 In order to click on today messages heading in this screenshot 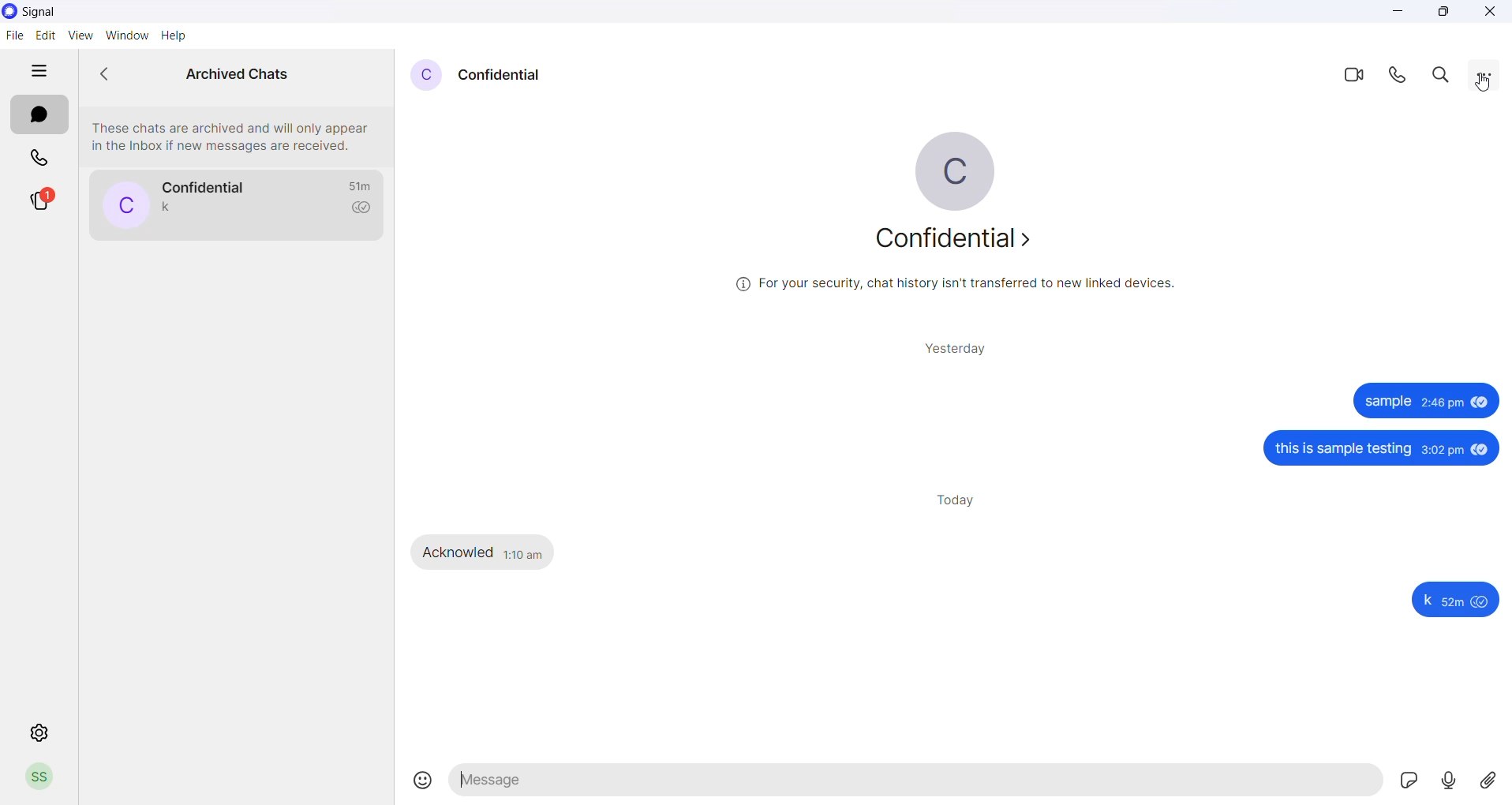, I will do `click(958, 498)`.